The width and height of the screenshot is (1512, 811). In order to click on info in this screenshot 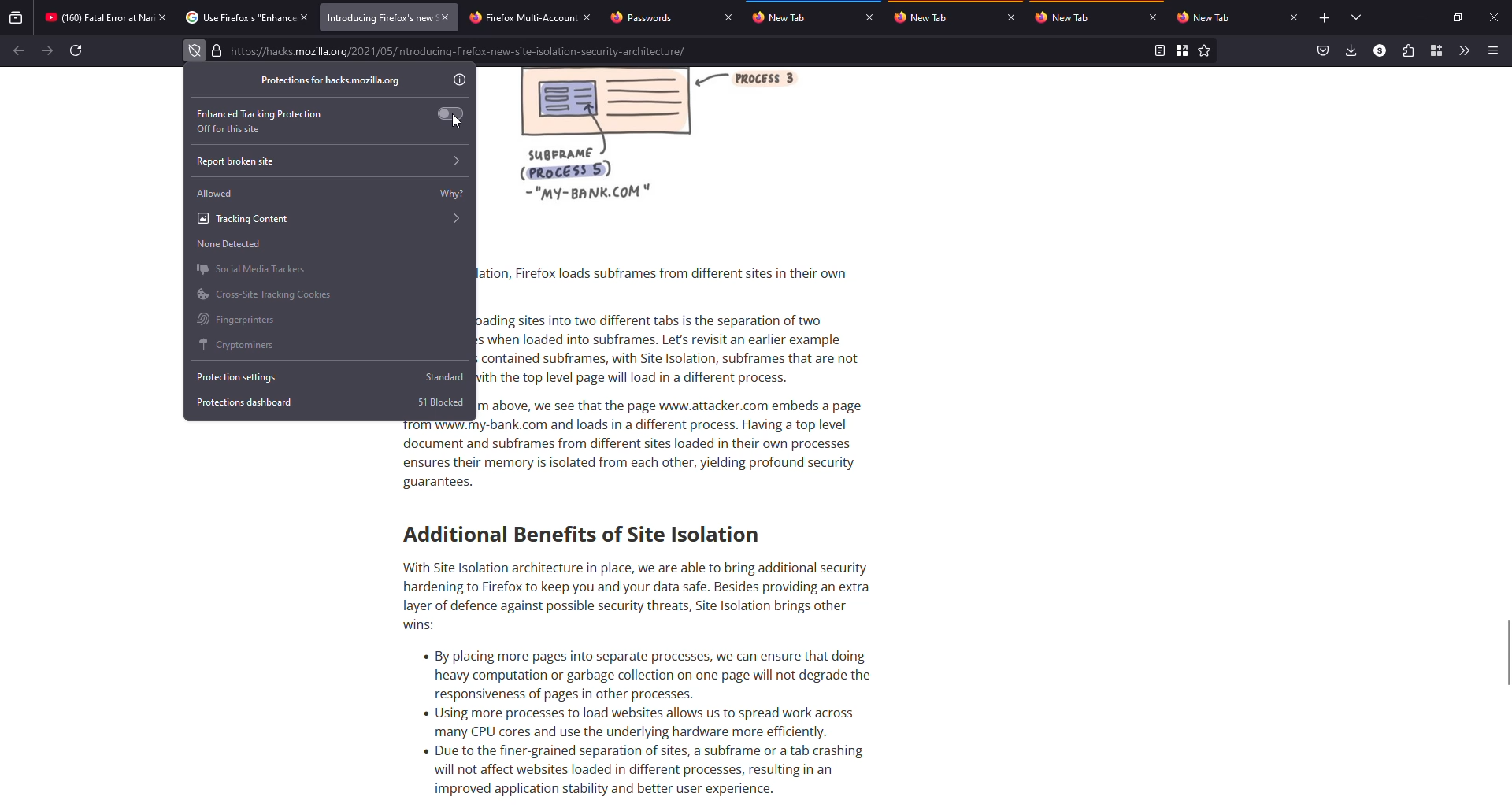, I will do `click(460, 80)`.